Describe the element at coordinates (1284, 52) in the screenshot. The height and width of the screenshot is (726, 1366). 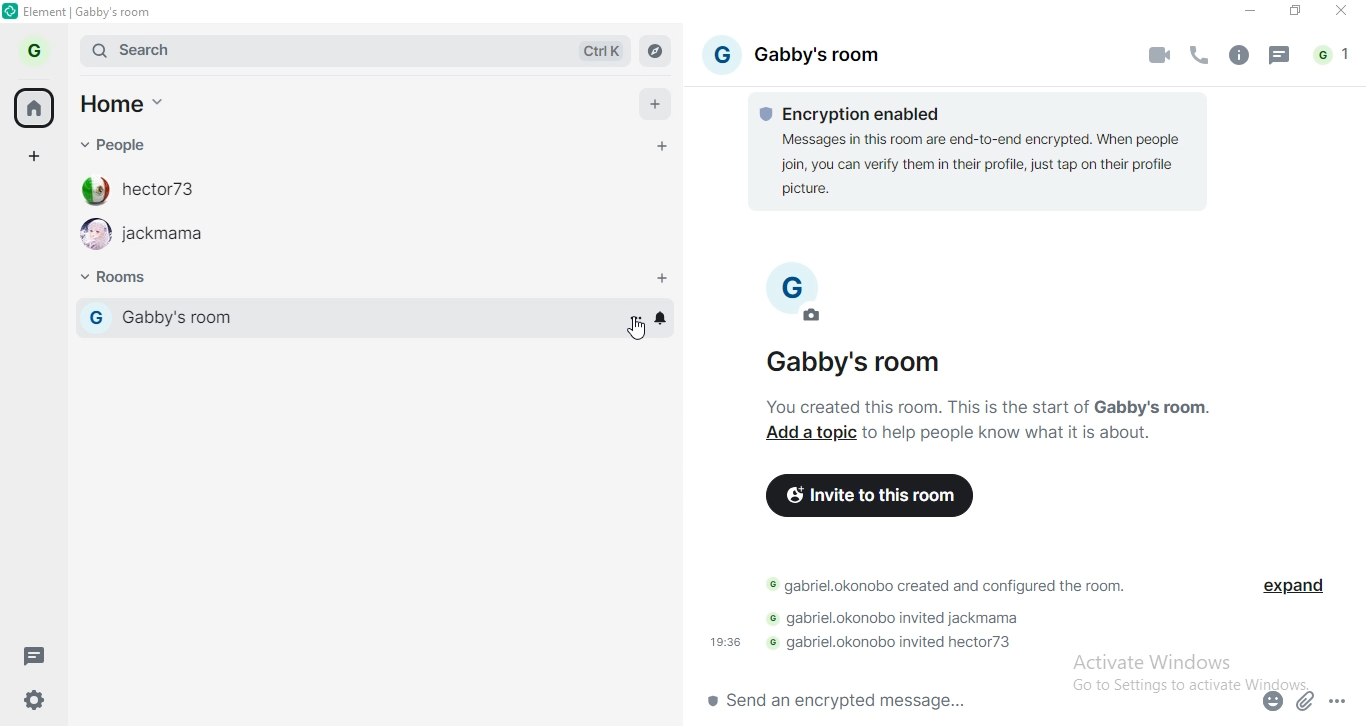
I see `message` at that location.